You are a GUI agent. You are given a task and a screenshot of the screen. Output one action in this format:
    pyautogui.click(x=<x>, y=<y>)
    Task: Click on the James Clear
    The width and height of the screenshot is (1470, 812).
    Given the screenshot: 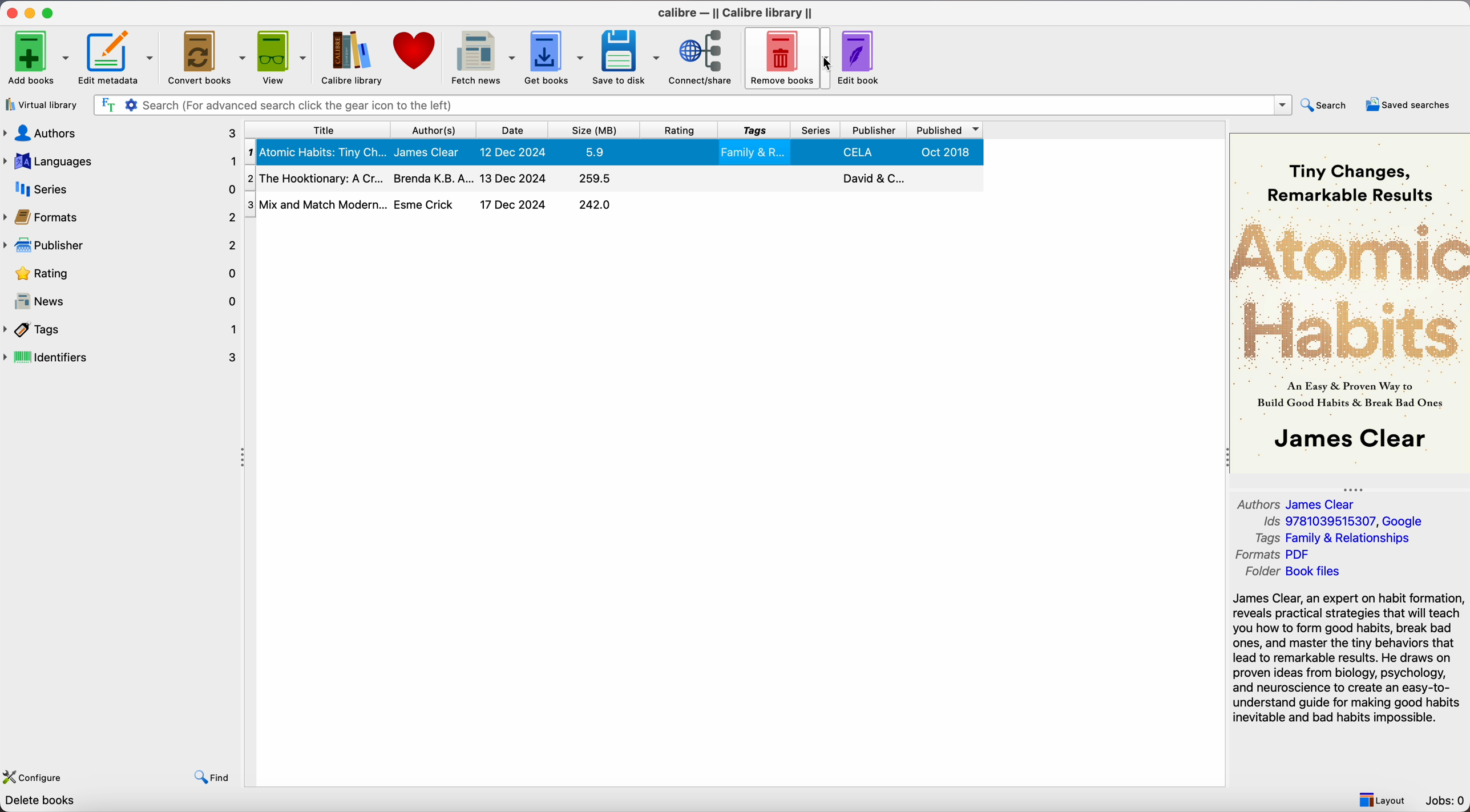 What is the action you would take?
    pyautogui.click(x=428, y=152)
    